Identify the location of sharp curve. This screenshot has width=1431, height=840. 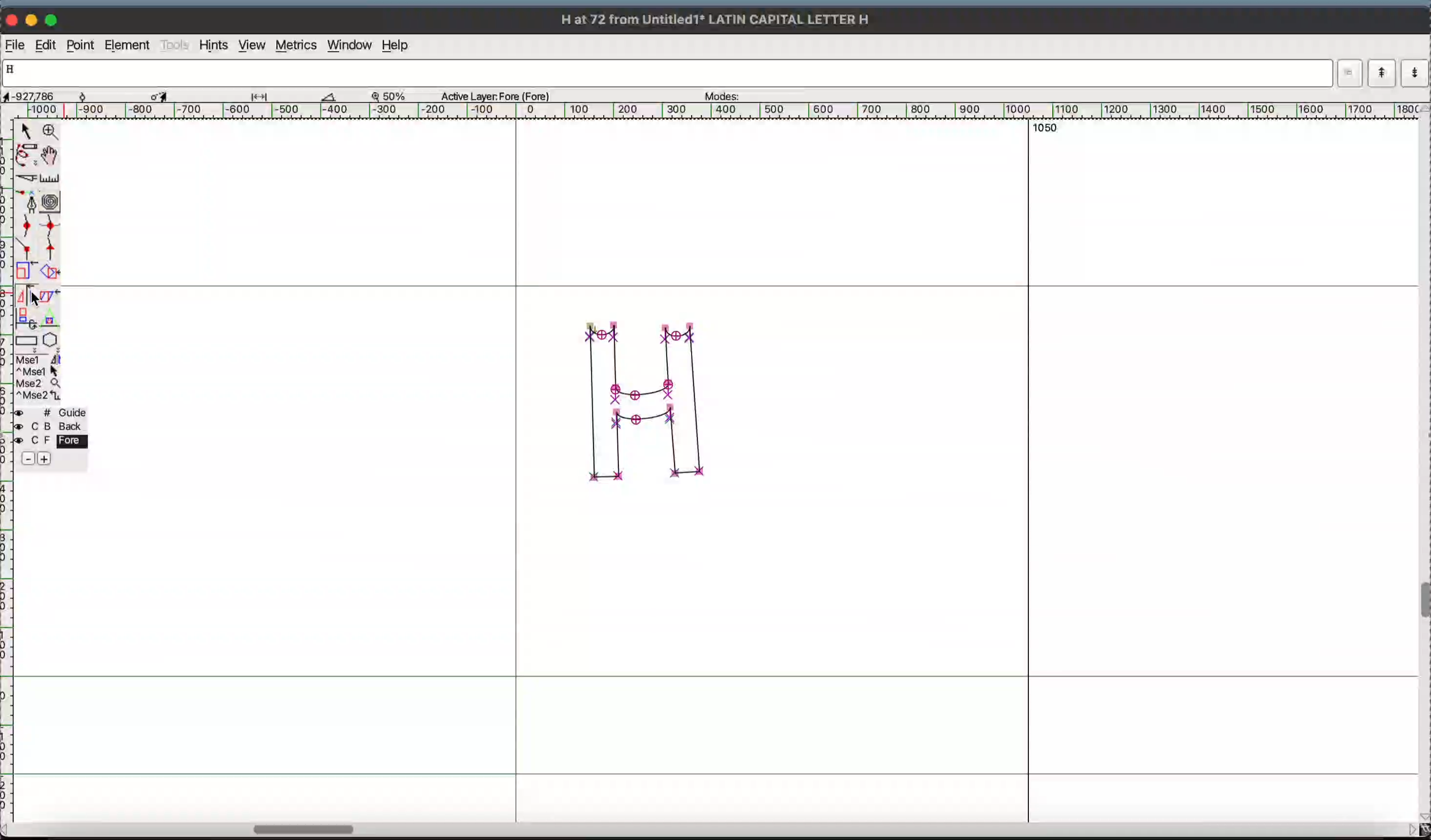
(49, 228).